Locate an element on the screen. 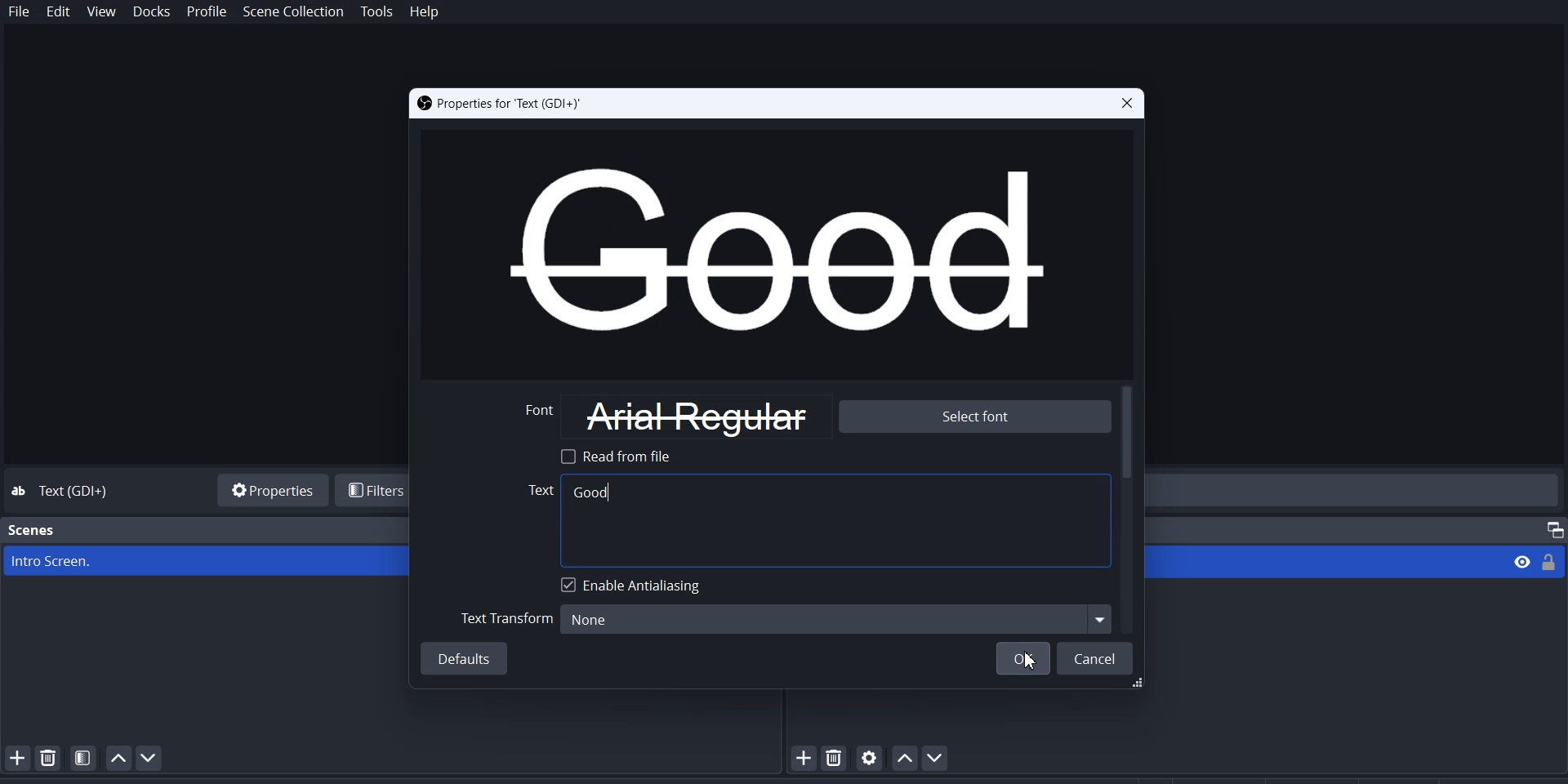 This screenshot has height=784, width=1568. Text Preview is located at coordinates (774, 252).